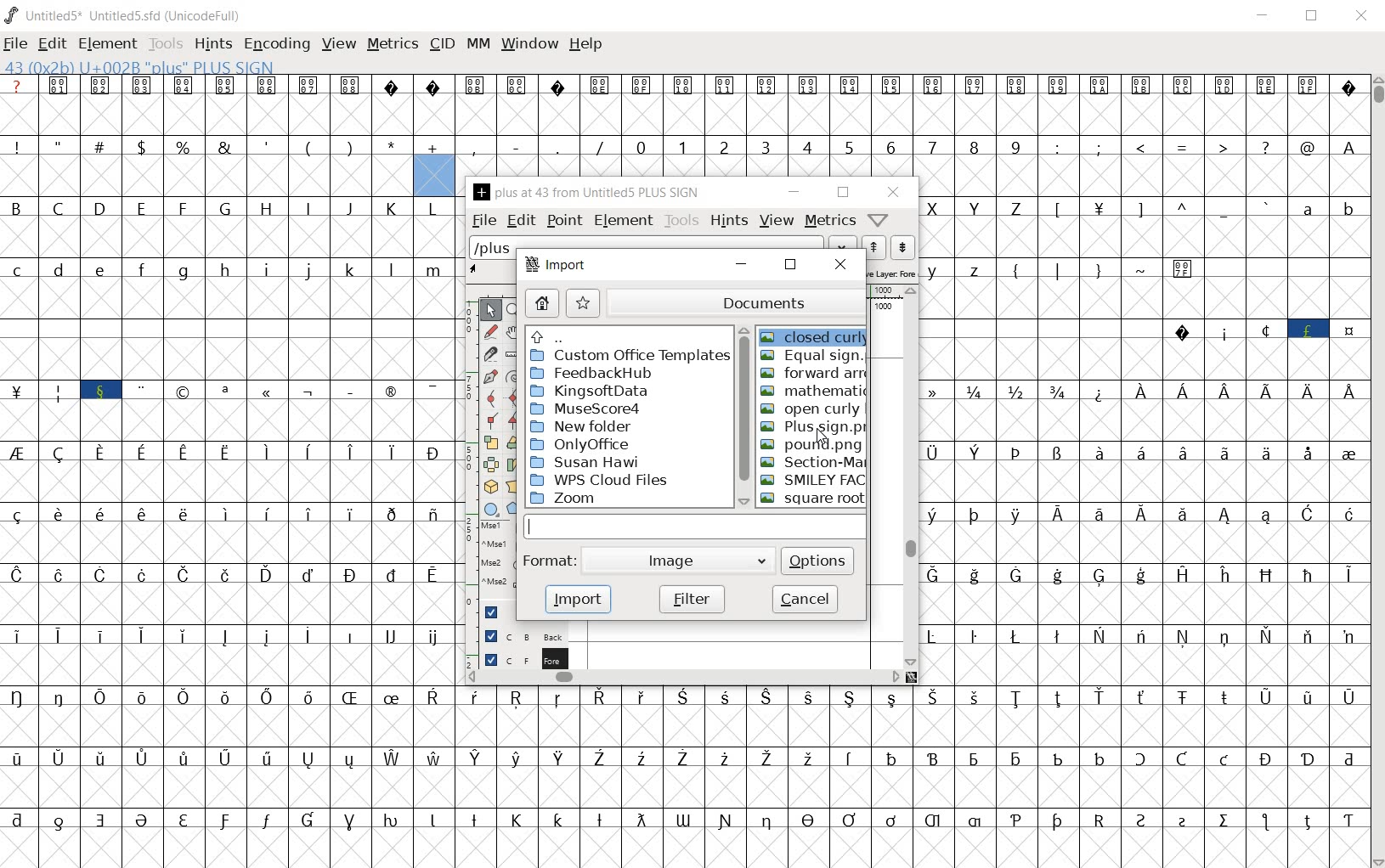 The image size is (1385, 868). What do you see at coordinates (683, 222) in the screenshot?
I see `tools` at bounding box center [683, 222].